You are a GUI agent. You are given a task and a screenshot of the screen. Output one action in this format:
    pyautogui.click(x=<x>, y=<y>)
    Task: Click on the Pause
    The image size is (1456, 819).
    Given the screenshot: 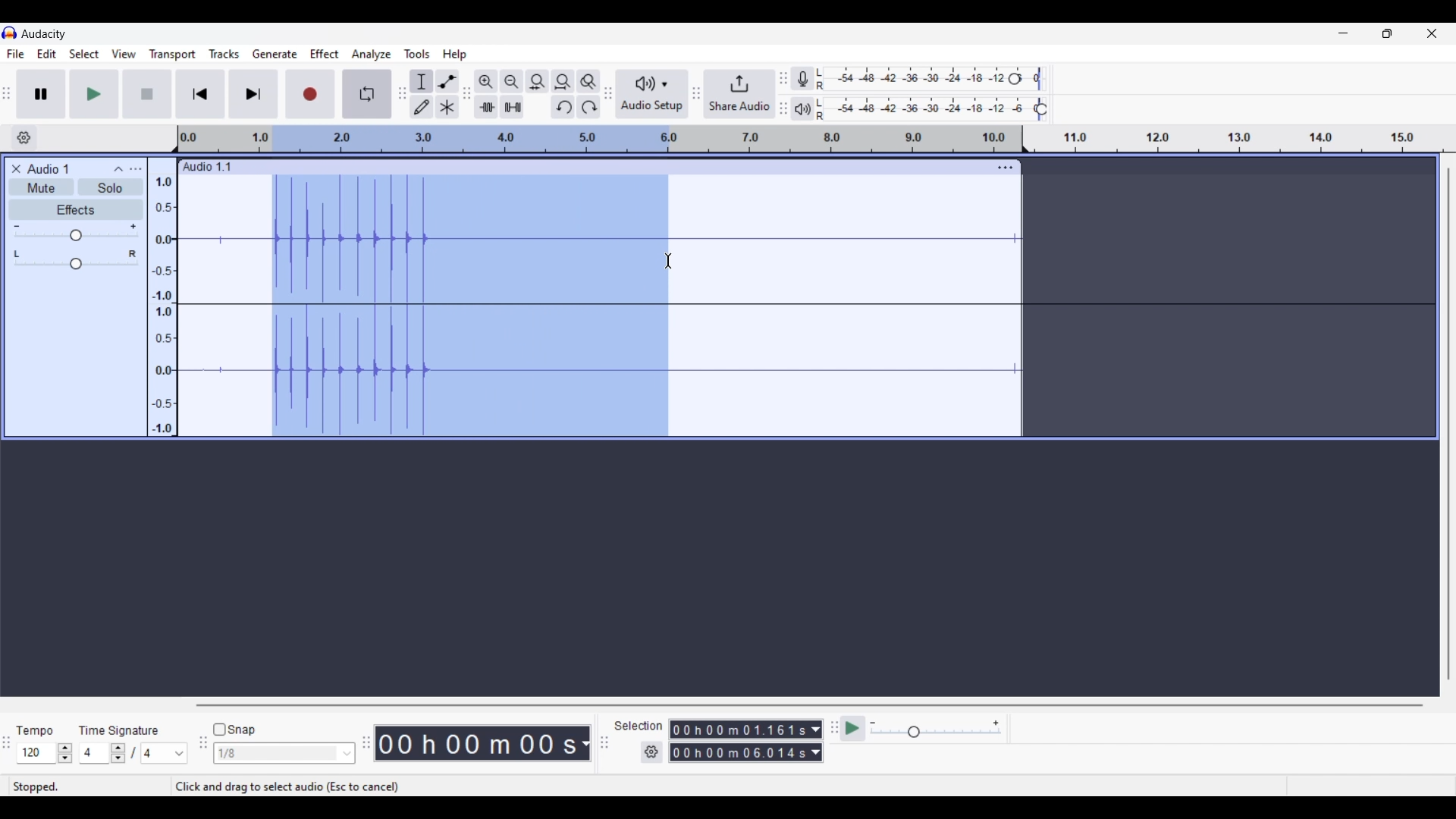 What is the action you would take?
    pyautogui.click(x=42, y=94)
    